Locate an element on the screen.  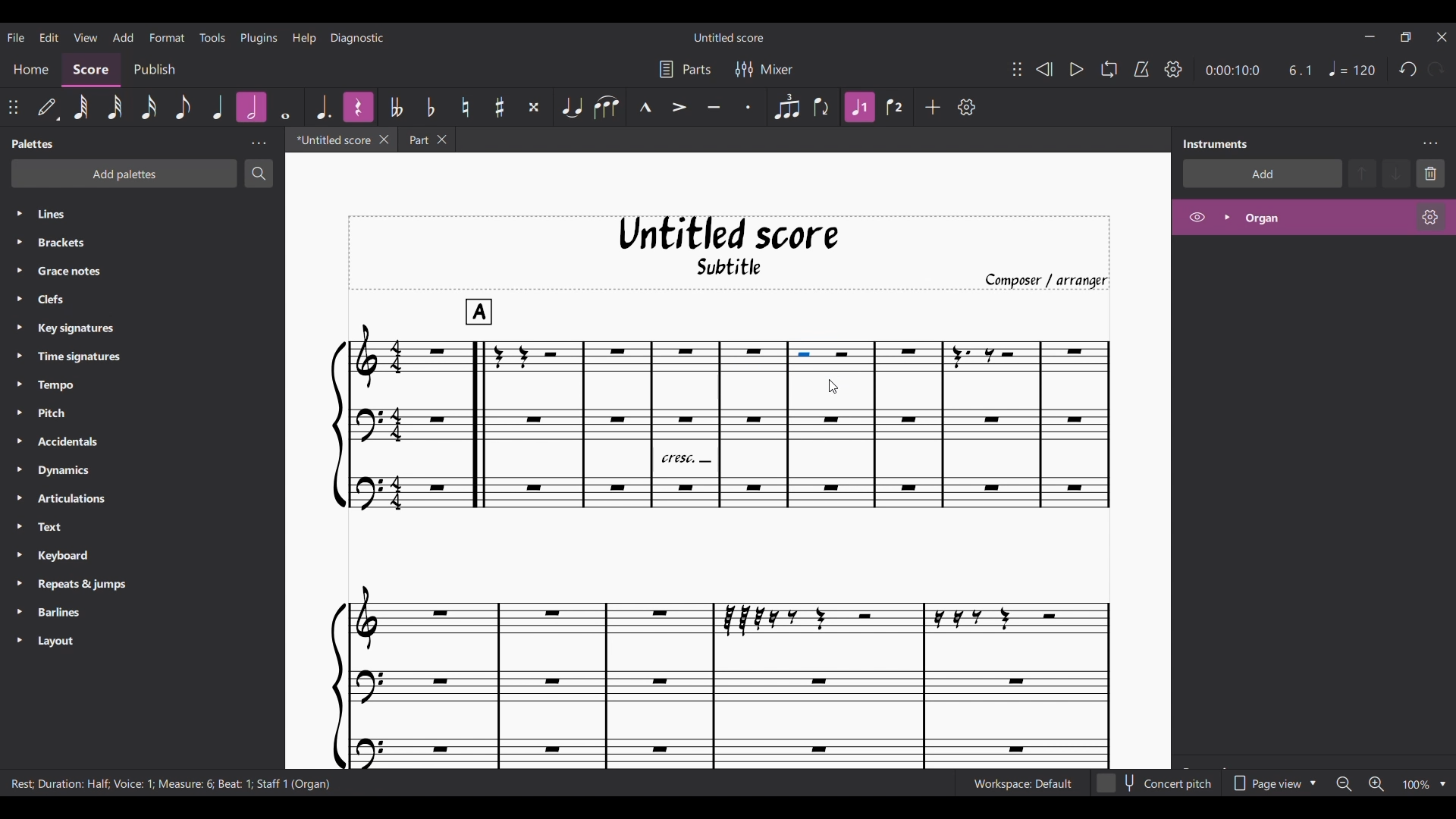
File menu is located at coordinates (15, 36).